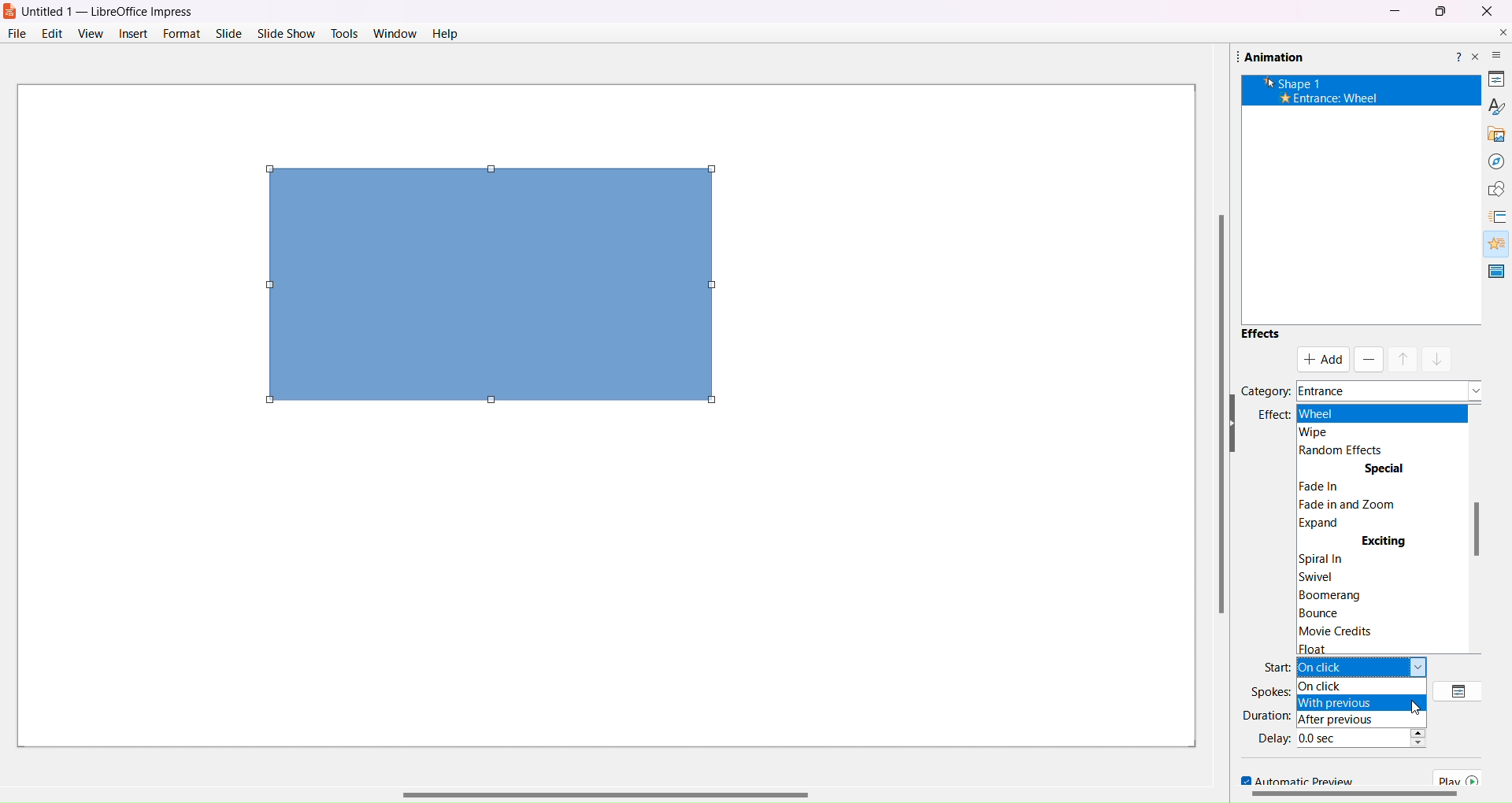  I want to click on Option, so click(1461, 690).